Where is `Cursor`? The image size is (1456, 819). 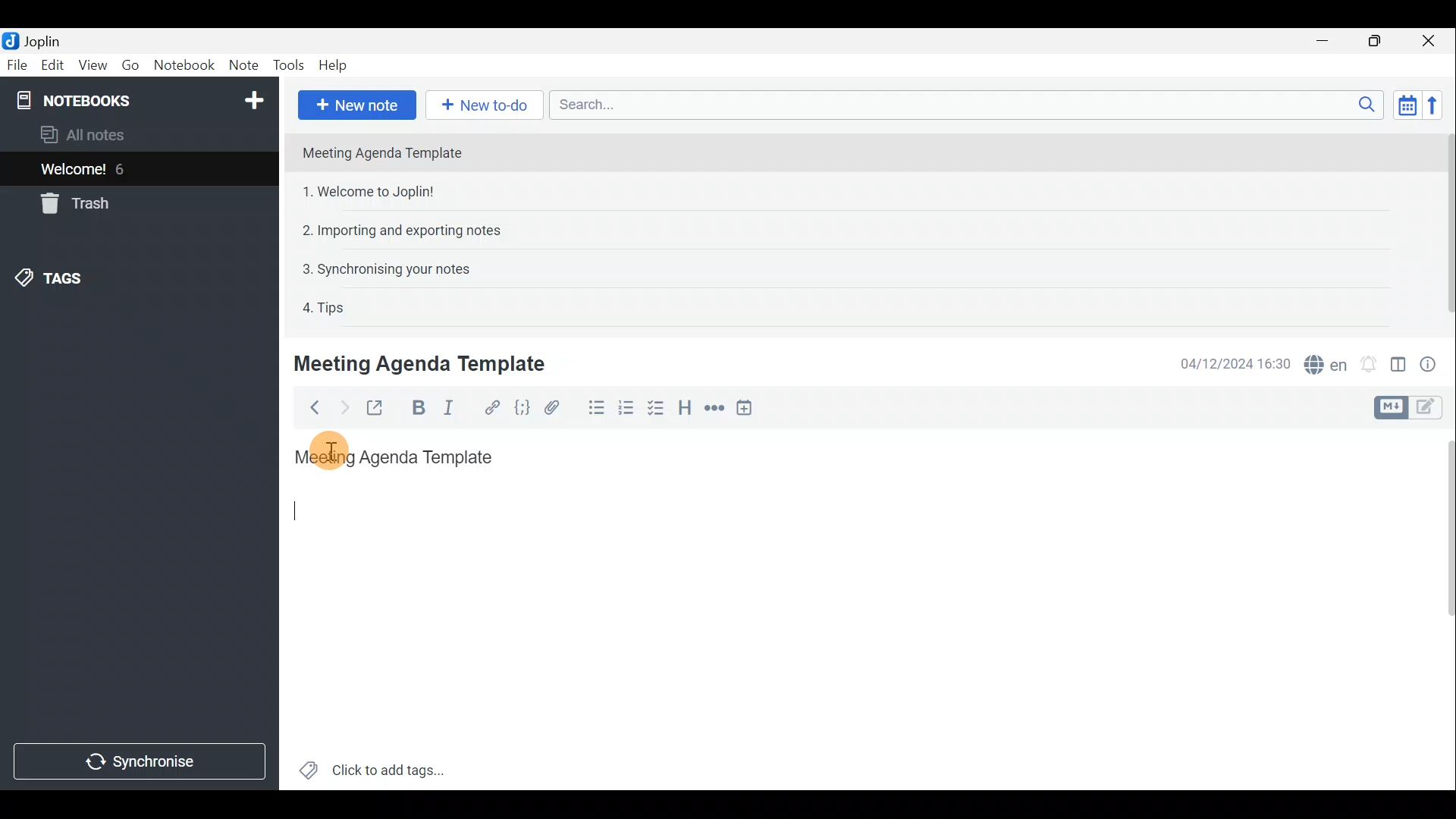 Cursor is located at coordinates (307, 513).